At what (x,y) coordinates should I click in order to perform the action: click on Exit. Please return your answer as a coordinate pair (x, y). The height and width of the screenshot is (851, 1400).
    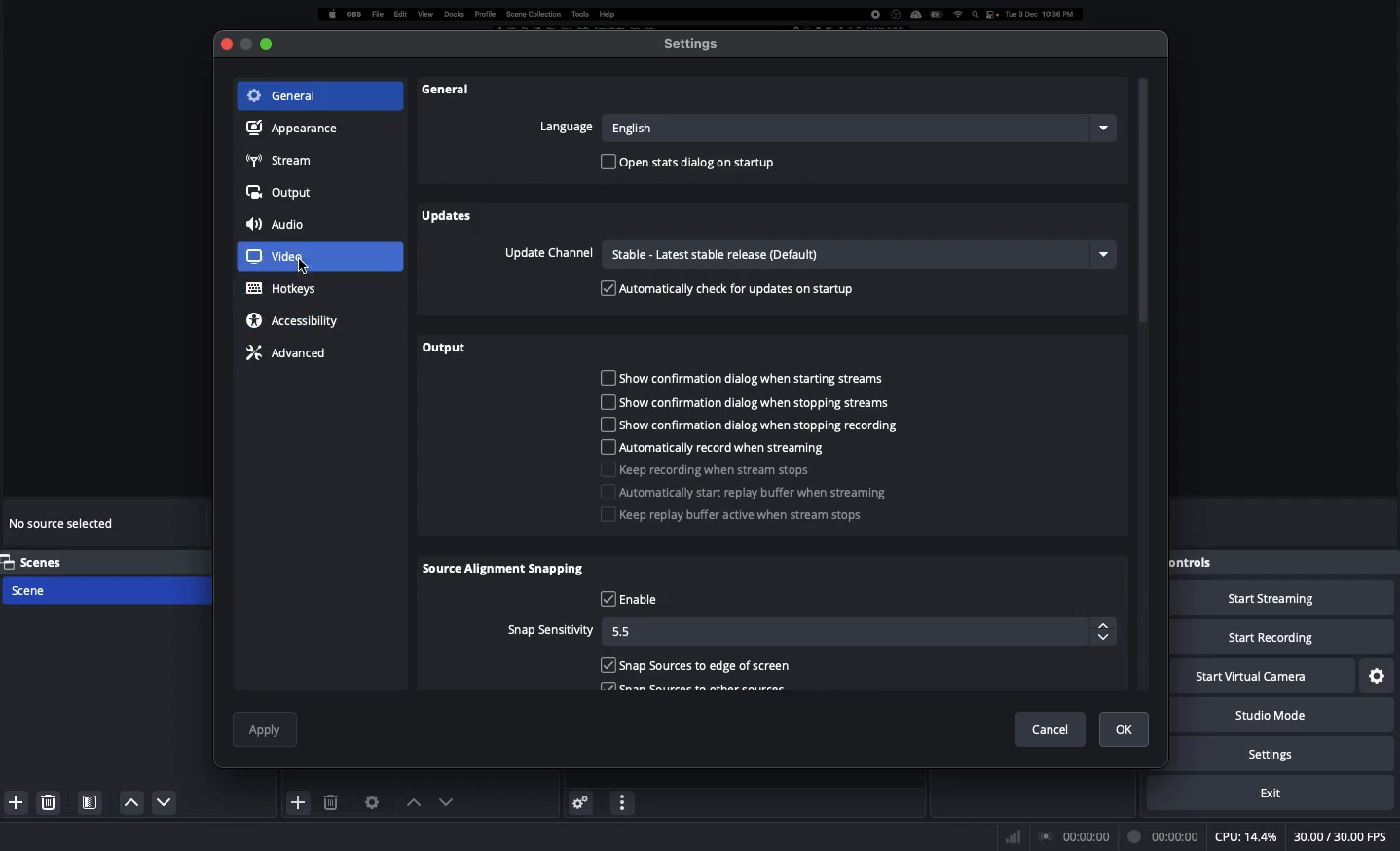
    Looking at the image, I should click on (1283, 793).